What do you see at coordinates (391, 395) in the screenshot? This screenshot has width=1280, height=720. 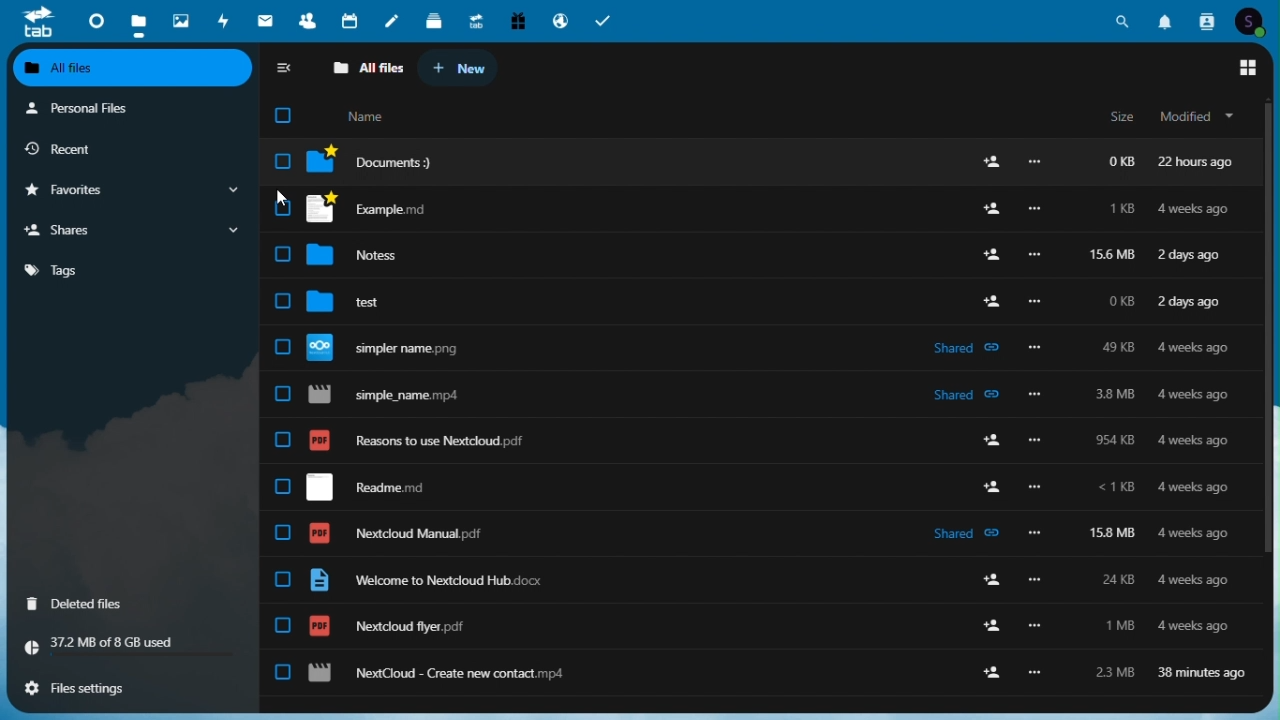 I see `simple_name.mp4` at bounding box center [391, 395].